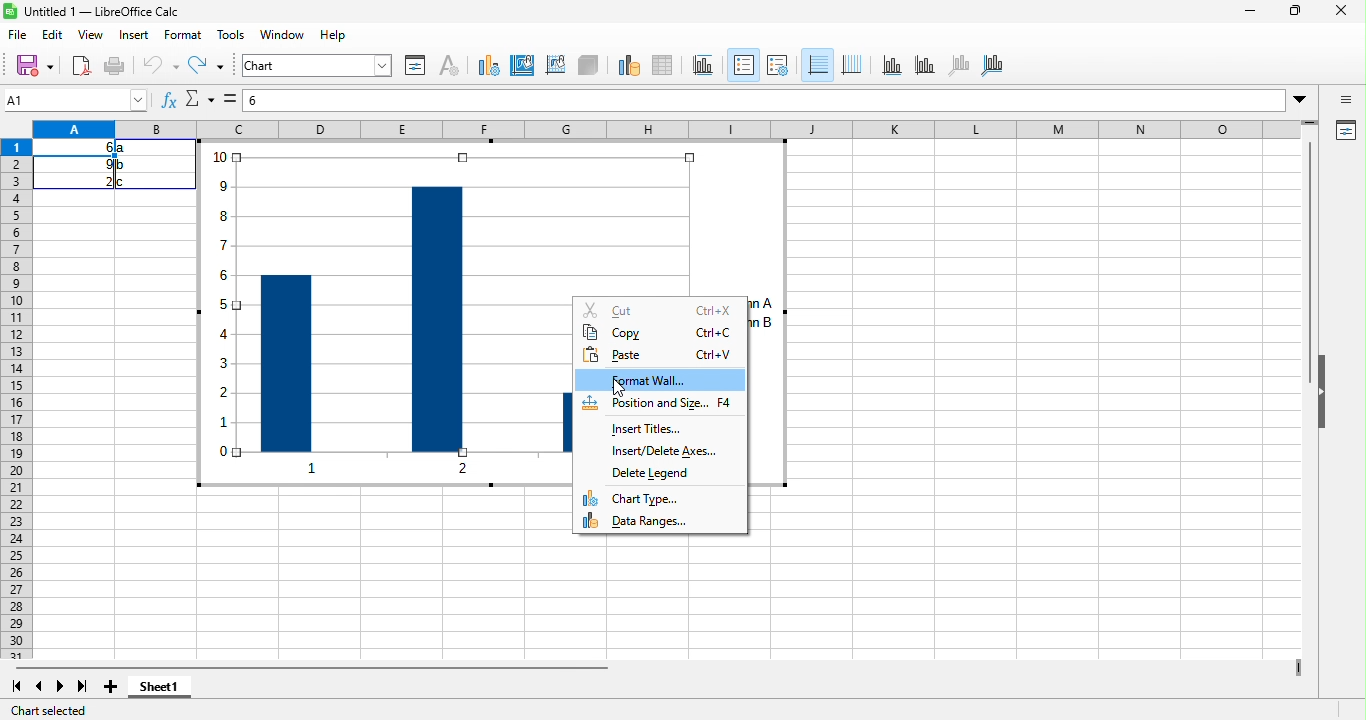 Image resolution: width=1366 pixels, height=720 pixels. Describe the element at coordinates (416, 65) in the screenshot. I see `properties` at that location.